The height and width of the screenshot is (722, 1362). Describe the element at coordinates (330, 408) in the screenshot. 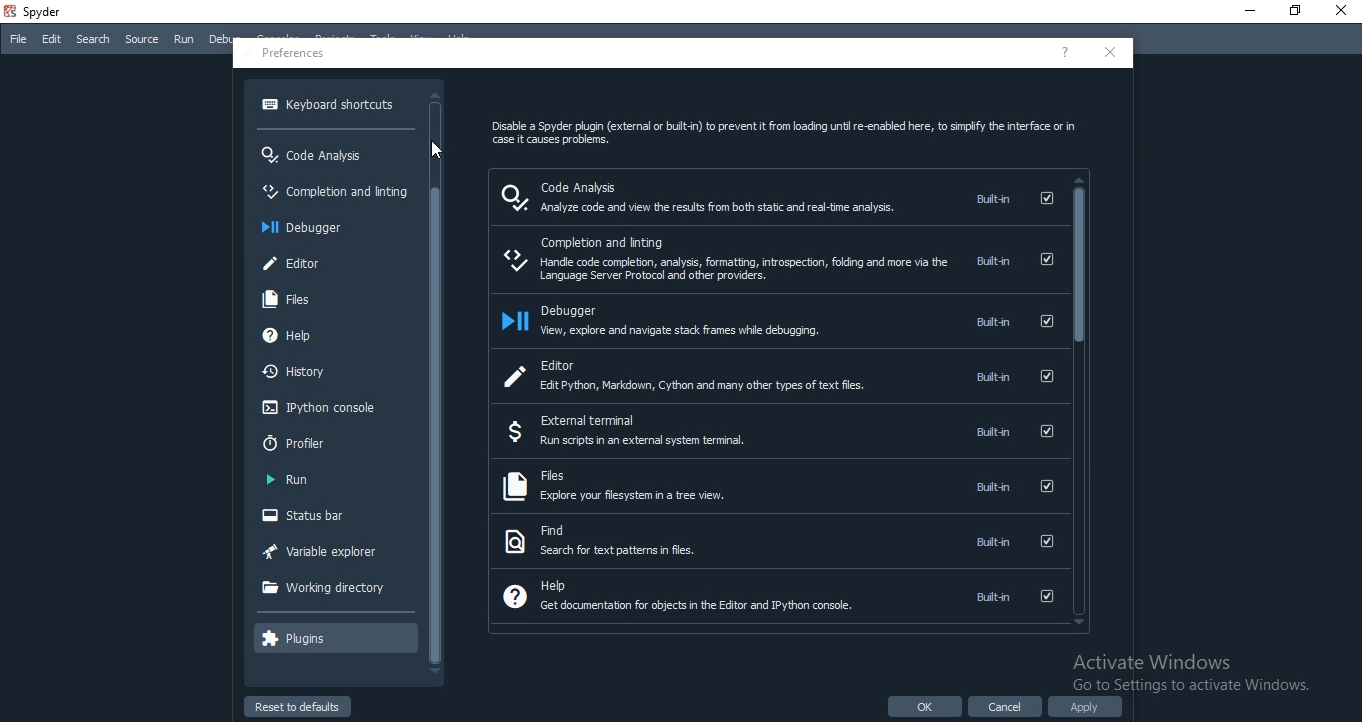

I see `ipython console` at that location.